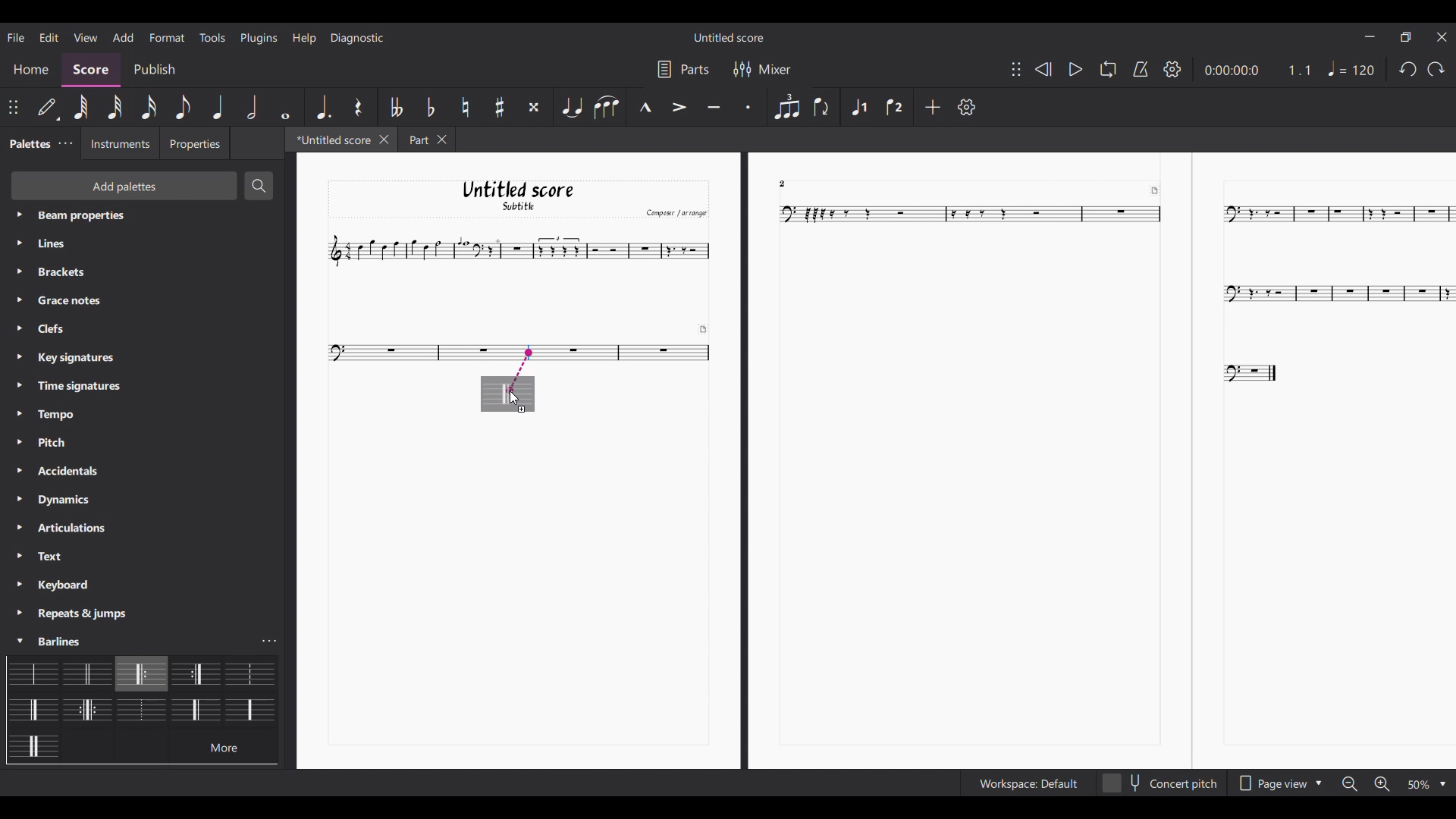 The width and height of the screenshot is (1456, 819). Describe the element at coordinates (29, 143) in the screenshot. I see `Current tab, palette` at that location.